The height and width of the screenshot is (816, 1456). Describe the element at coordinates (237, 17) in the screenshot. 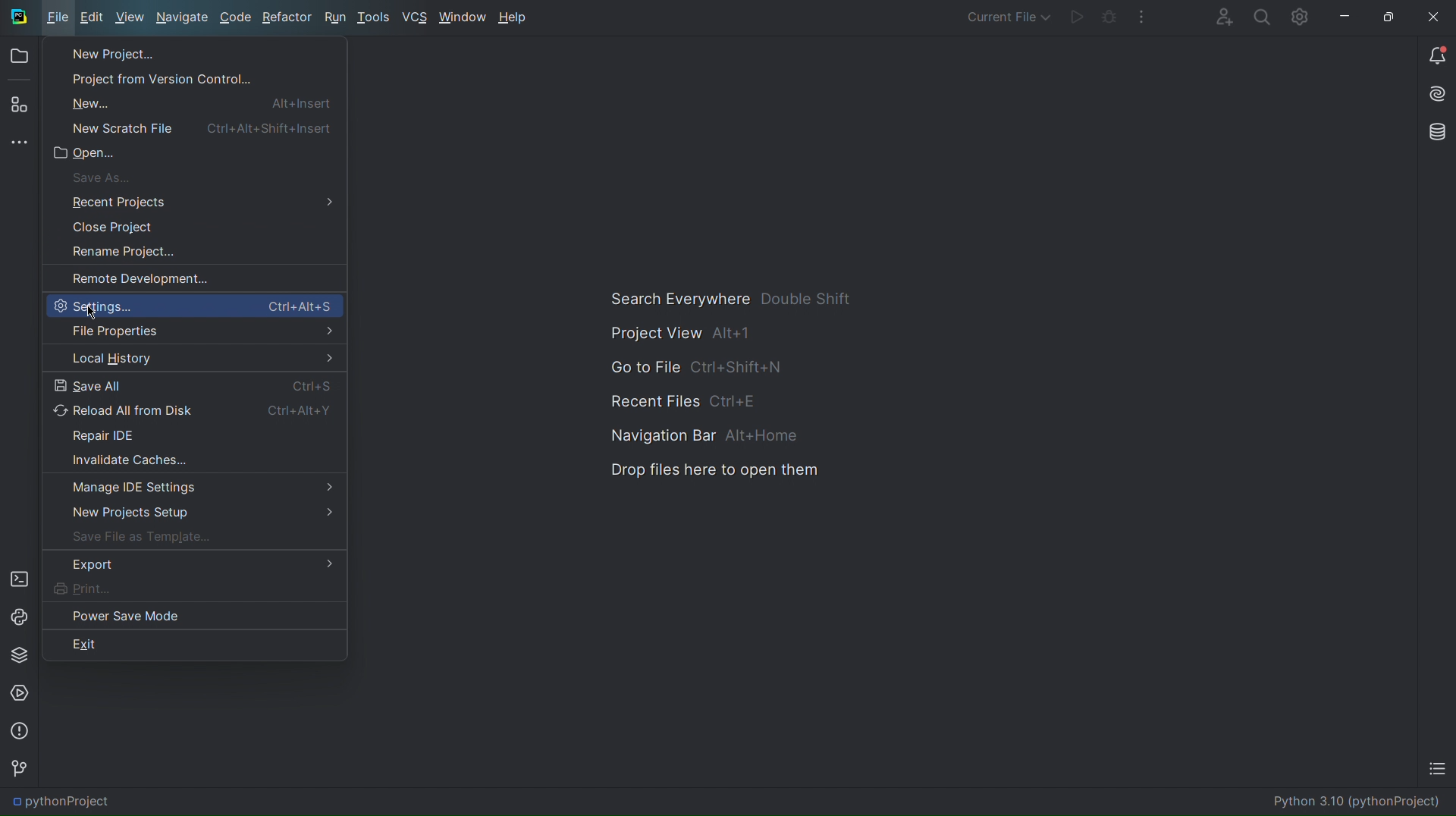

I see `Code` at that location.